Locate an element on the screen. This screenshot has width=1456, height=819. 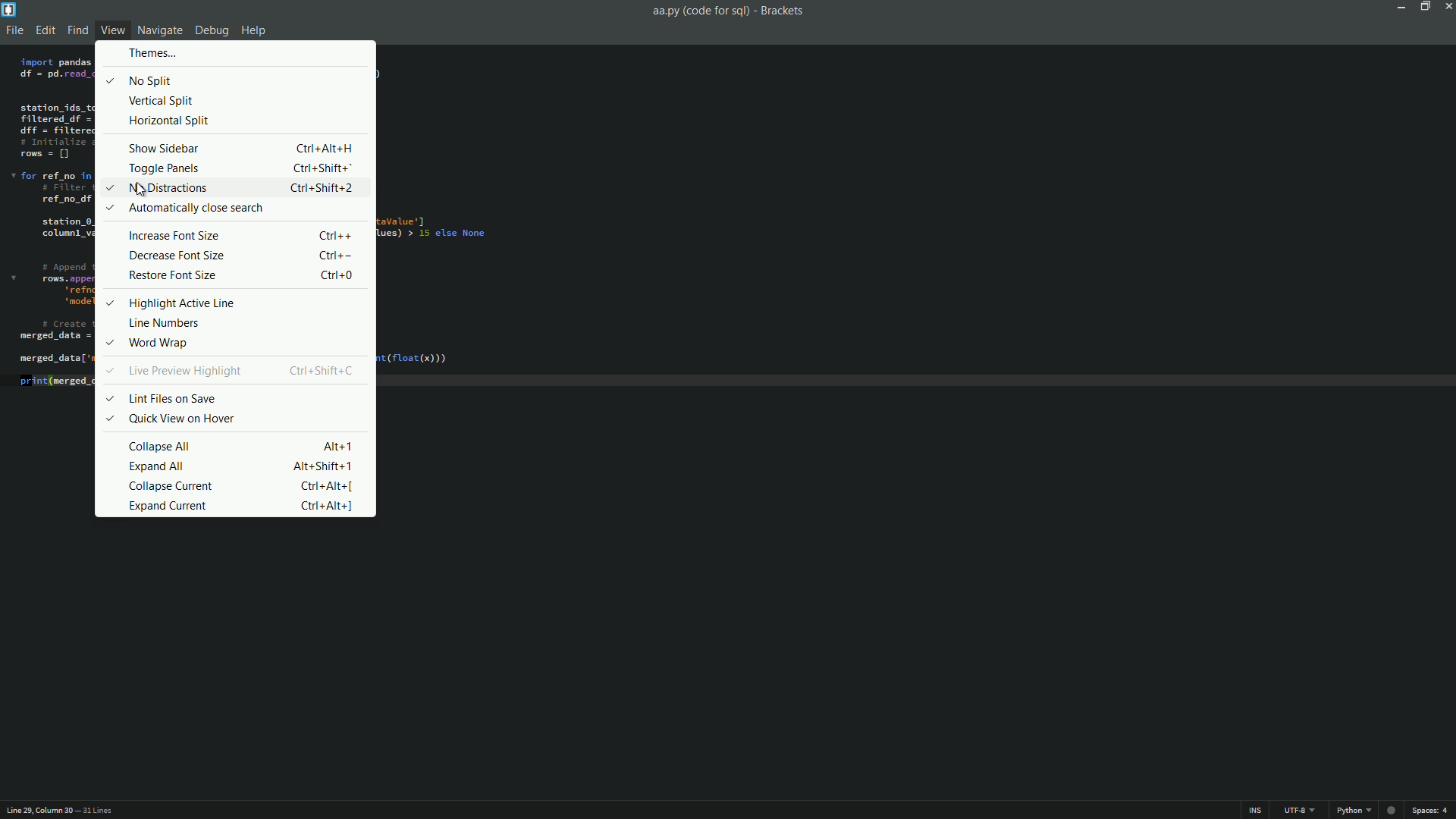
Show sidebar is located at coordinates (245, 146).